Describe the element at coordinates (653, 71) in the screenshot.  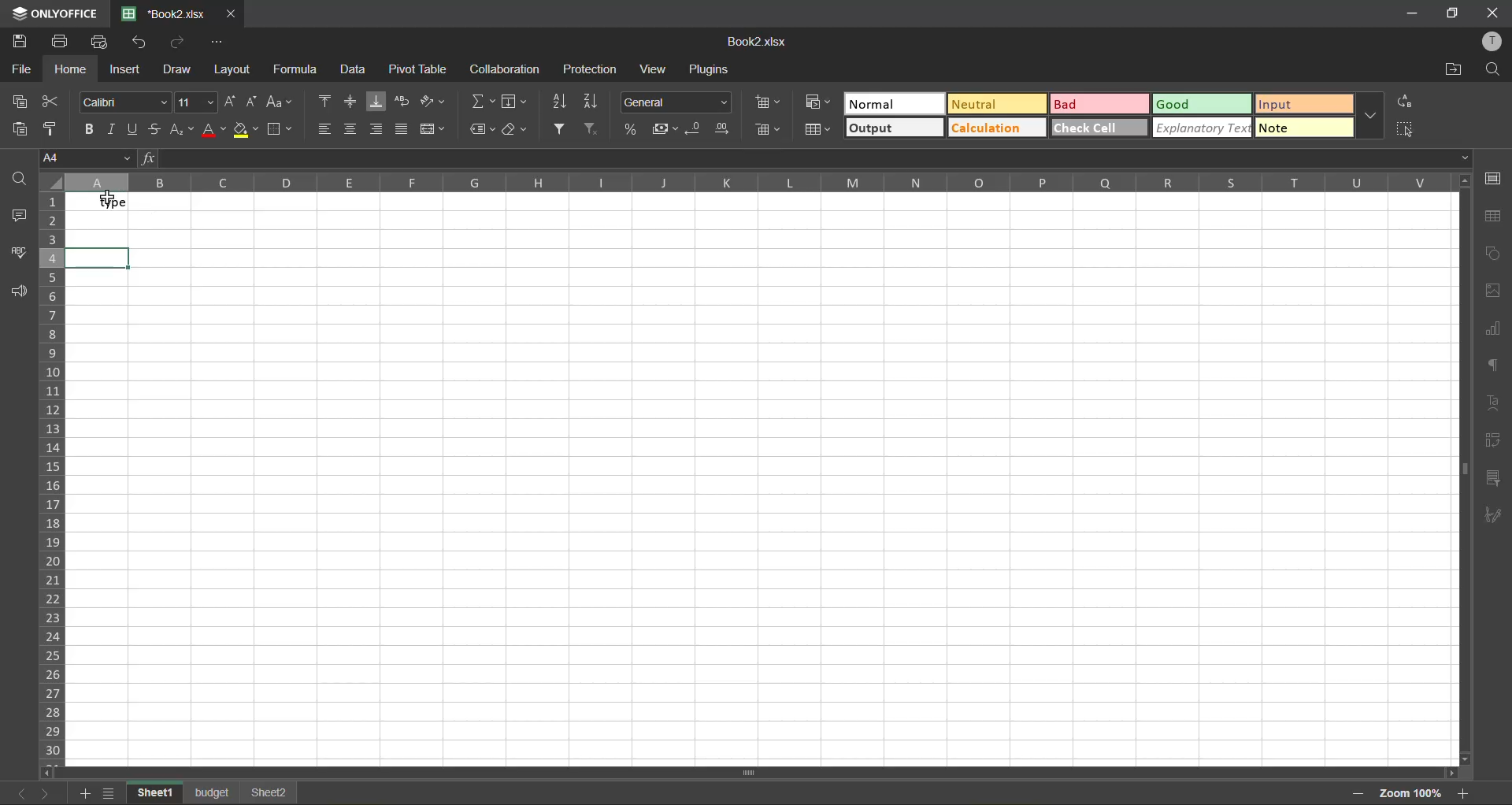
I see `view` at that location.